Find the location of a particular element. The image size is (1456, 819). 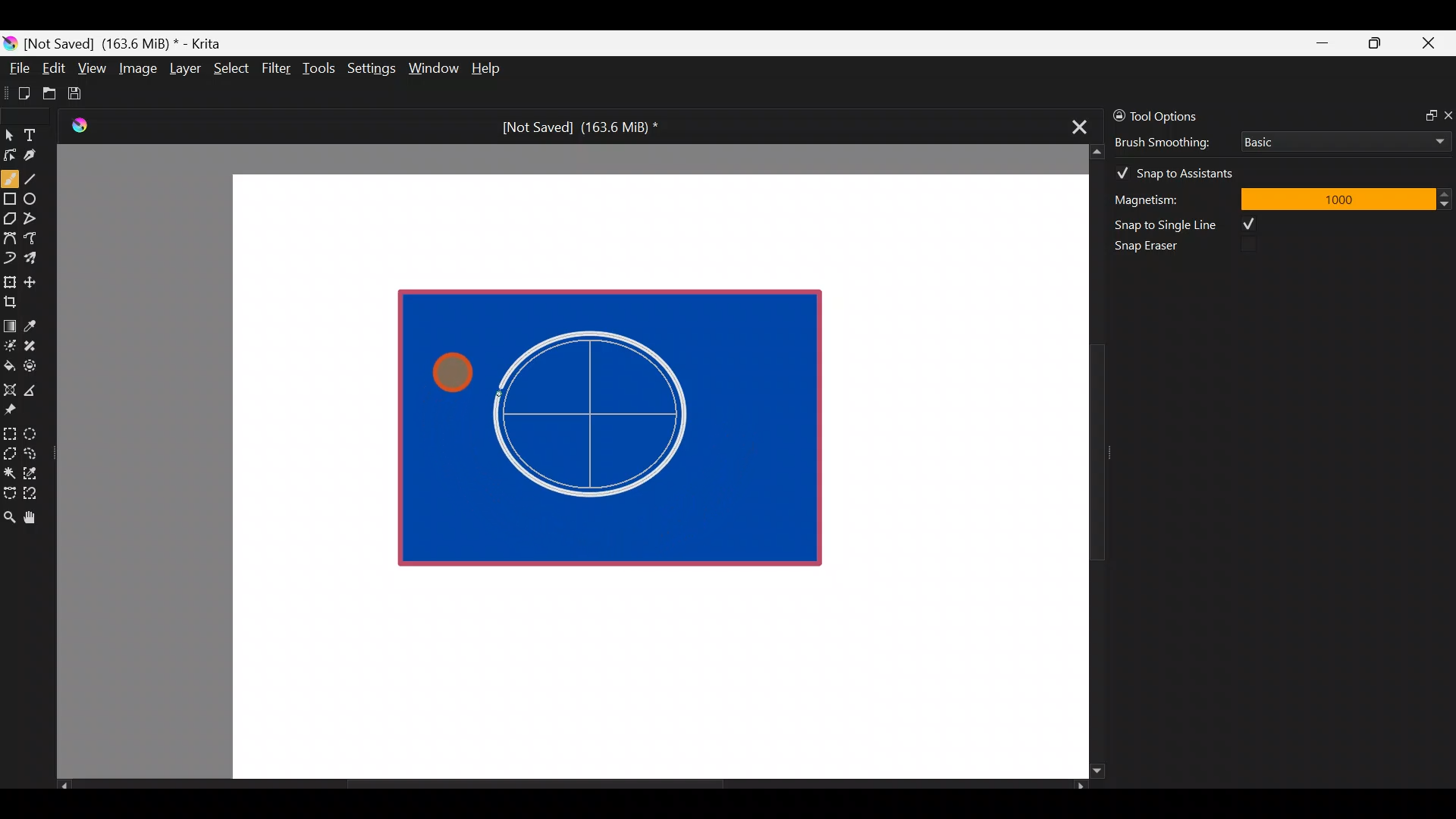

[Not Saved] (163.6 MiB) * - Krita is located at coordinates (130, 42).